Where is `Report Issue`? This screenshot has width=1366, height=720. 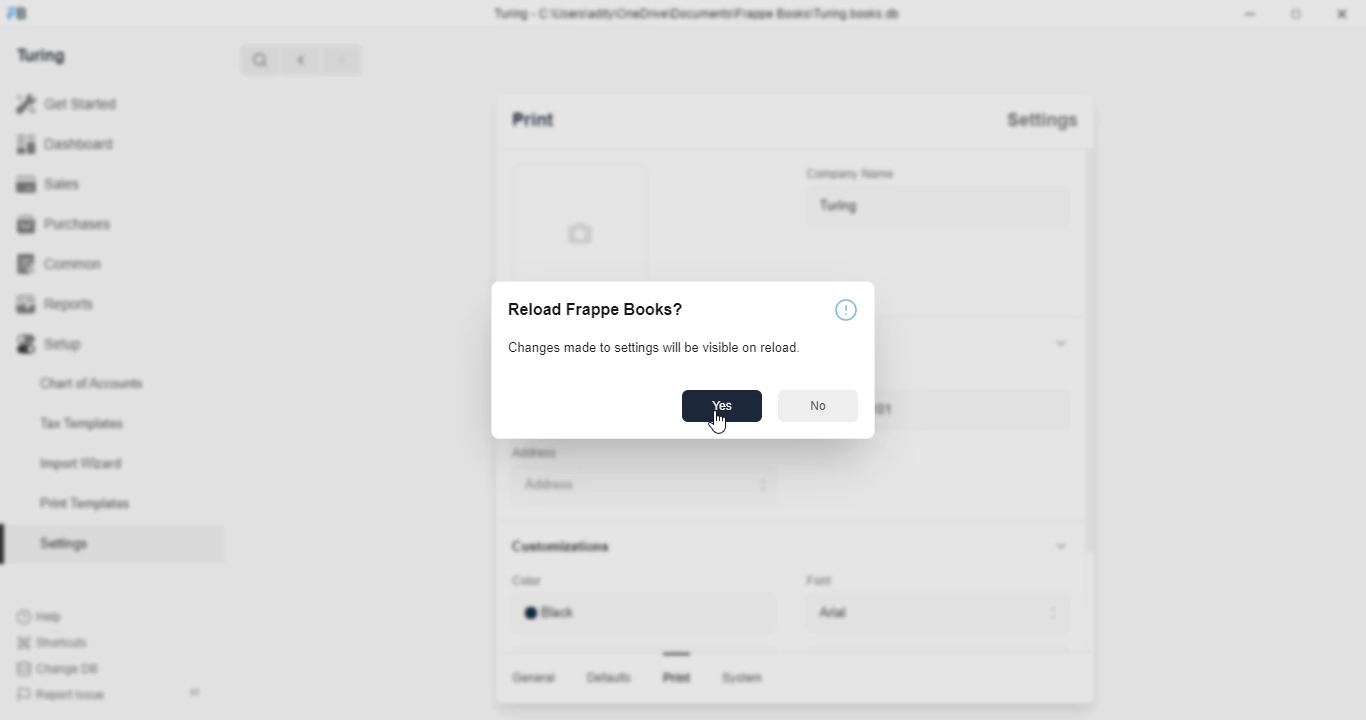
Report Issue is located at coordinates (63, 695).